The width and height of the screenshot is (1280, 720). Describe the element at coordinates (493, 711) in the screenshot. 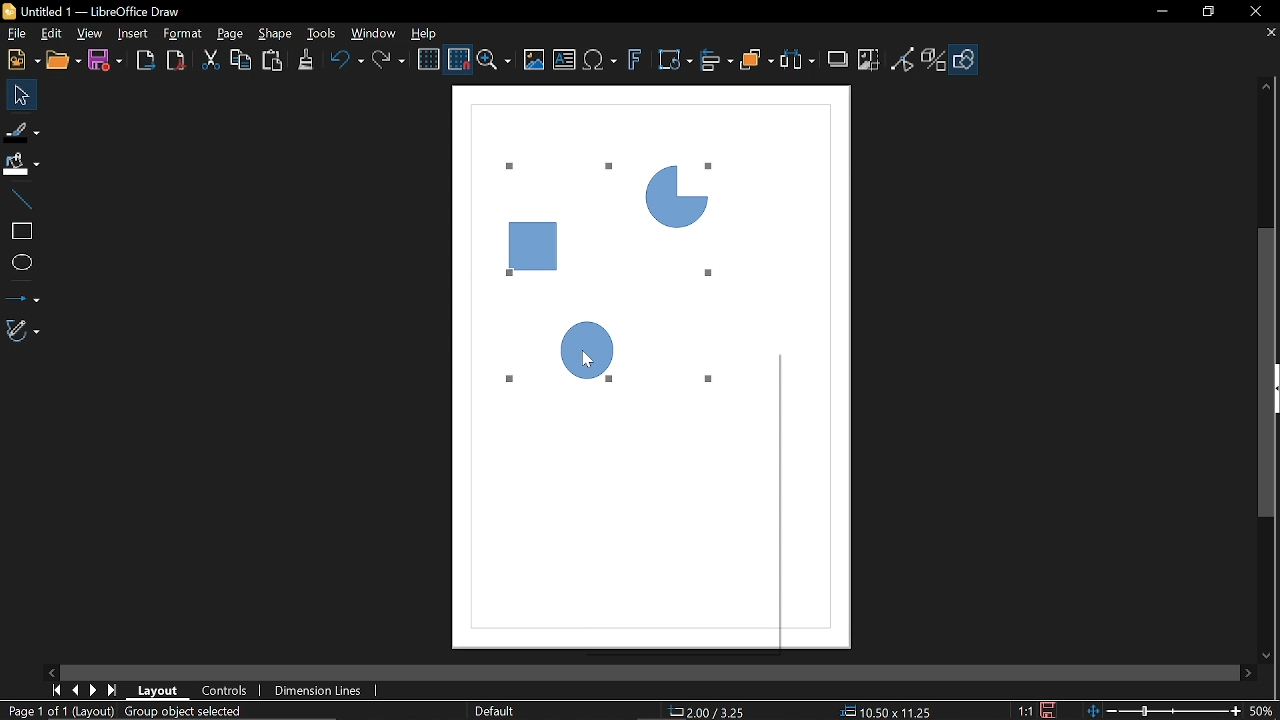

I see `Slide master name` at that location.